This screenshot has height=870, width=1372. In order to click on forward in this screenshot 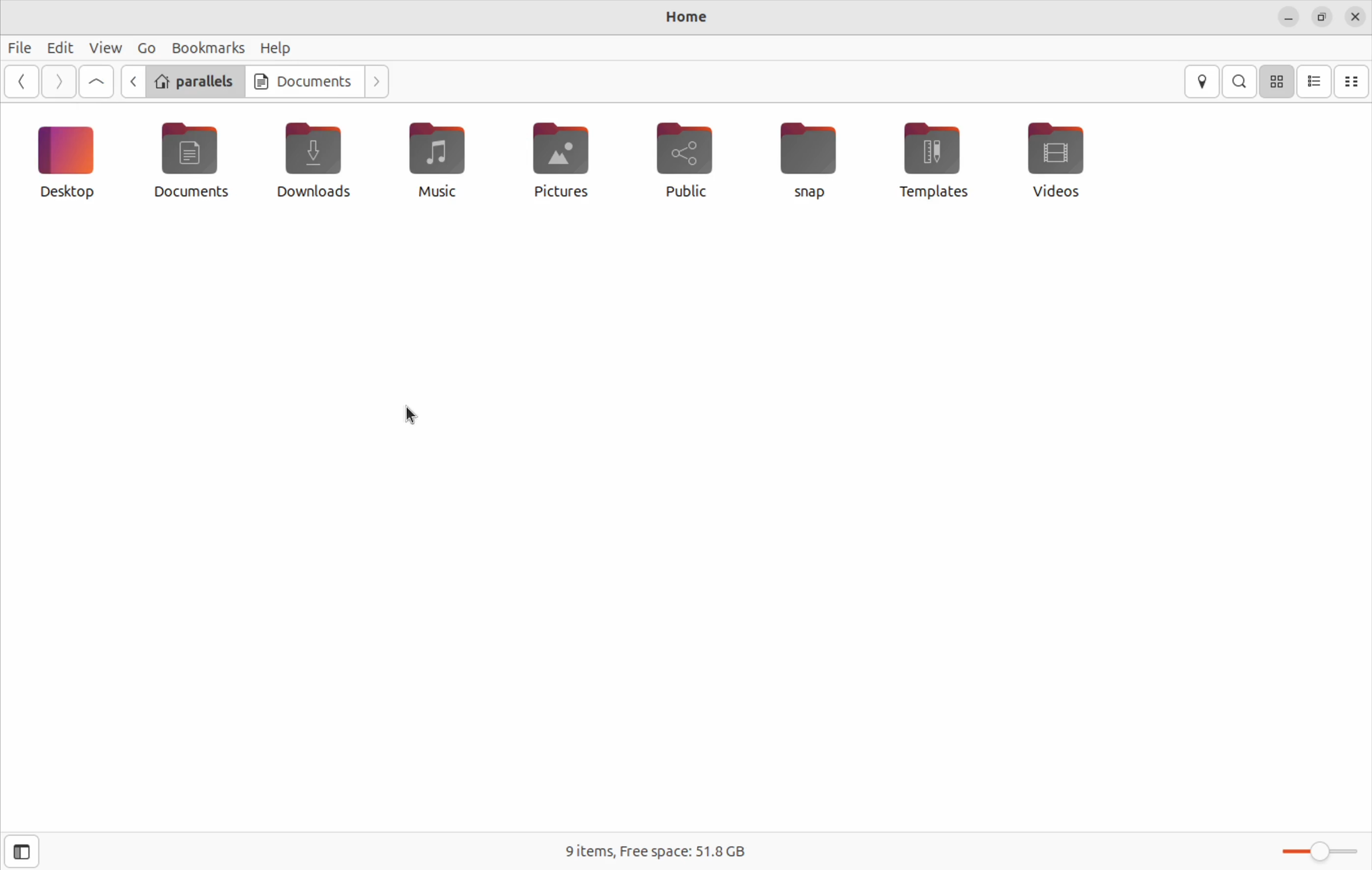, I will do `click(58, 82)`.